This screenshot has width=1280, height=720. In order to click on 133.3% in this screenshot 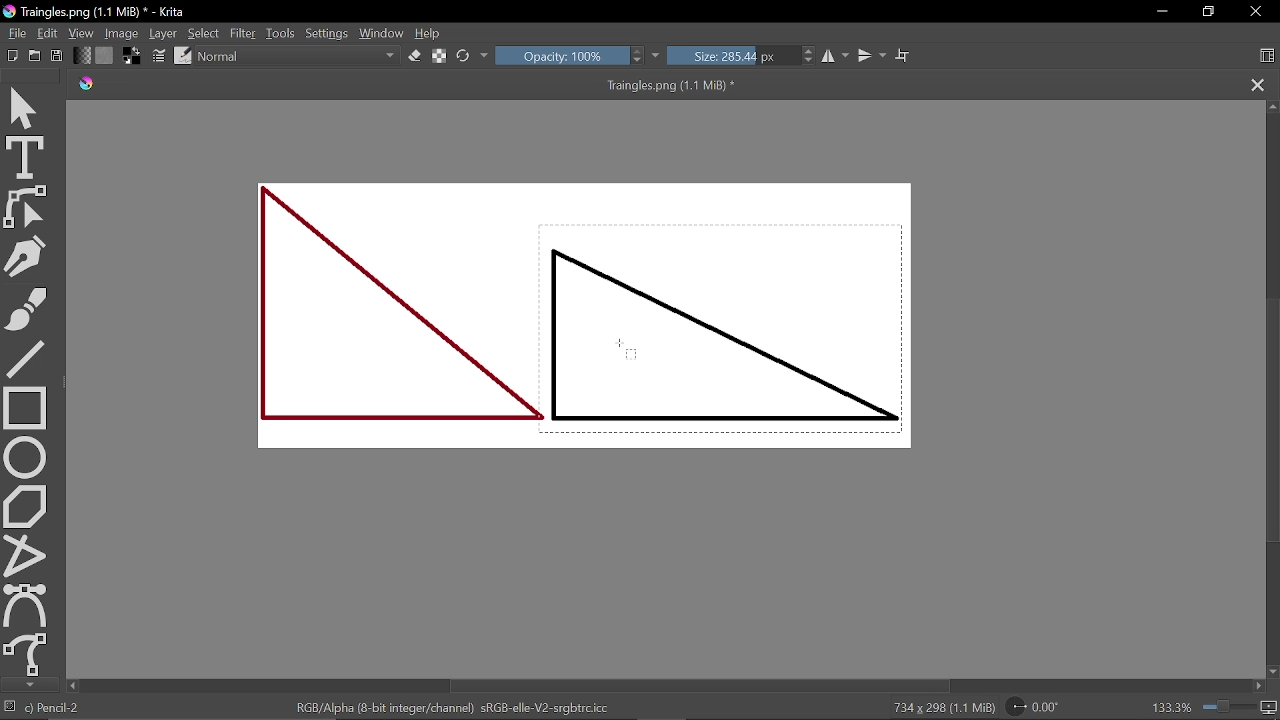, I will do `click(1215, 707)`.